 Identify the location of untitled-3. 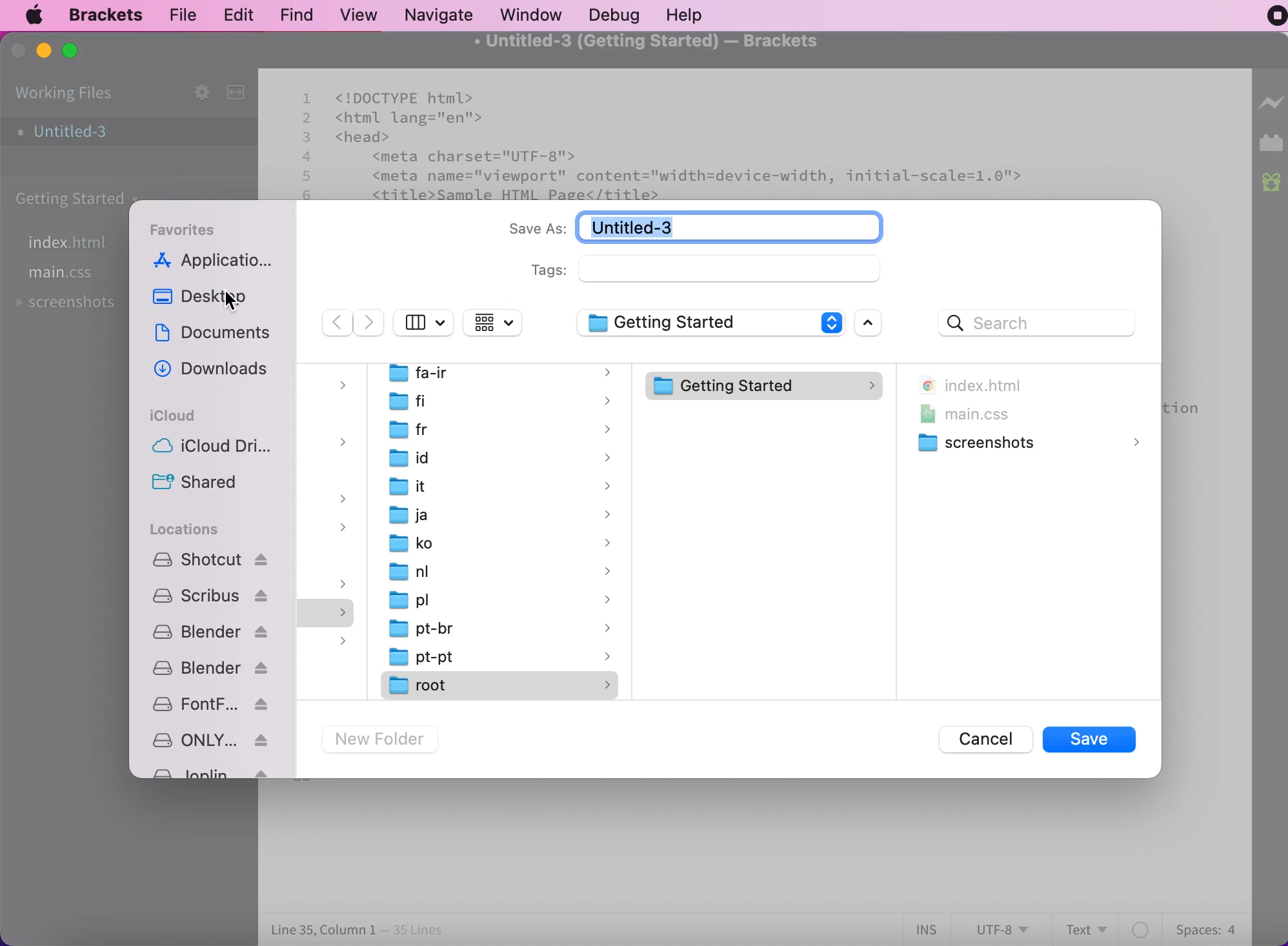
(71, 133).